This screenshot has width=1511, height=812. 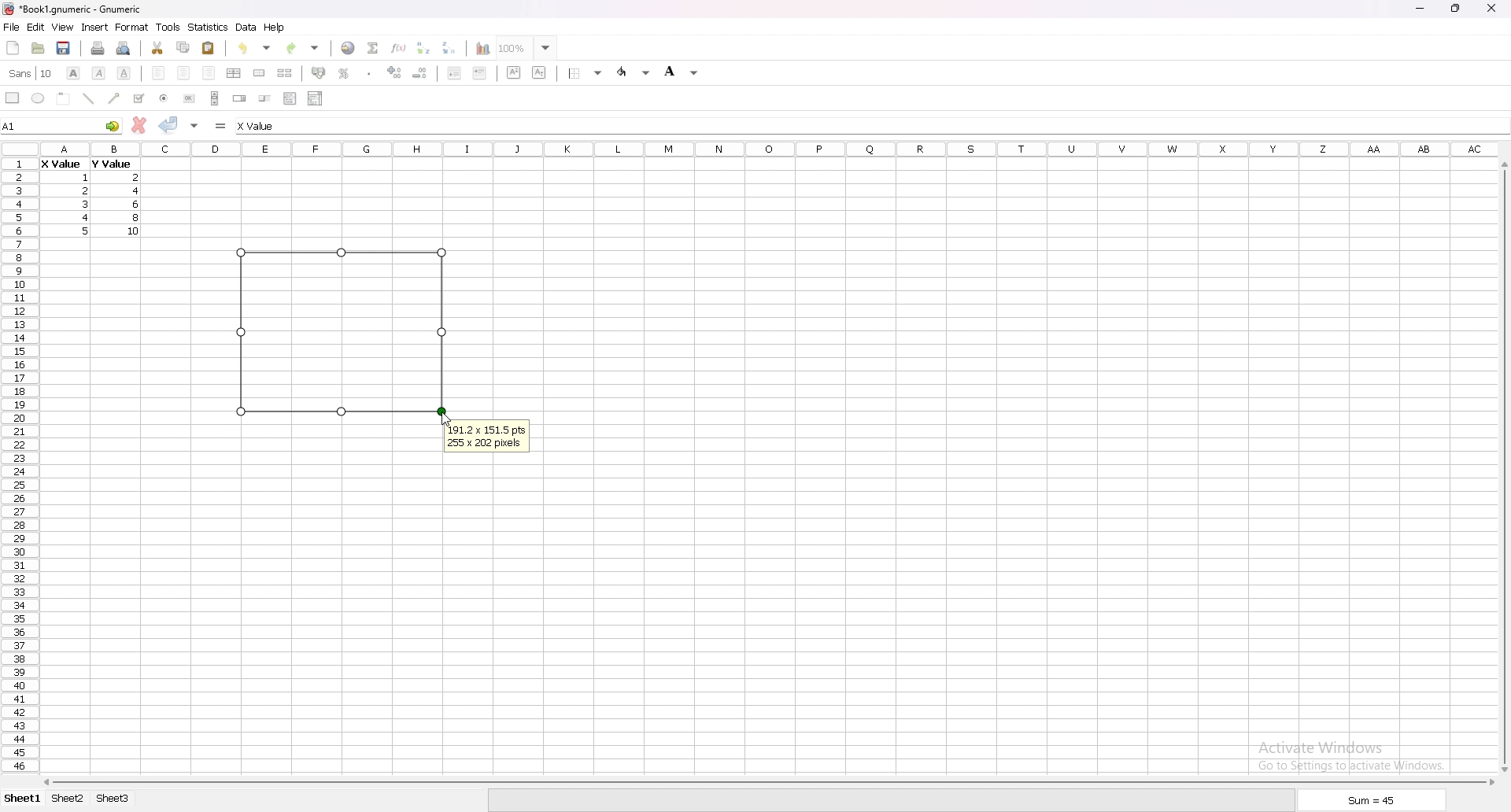 What do you see at coordinates (196, 124) in the screenshot?
I see `accept change in multple cell` at bounding box center [196, 124].